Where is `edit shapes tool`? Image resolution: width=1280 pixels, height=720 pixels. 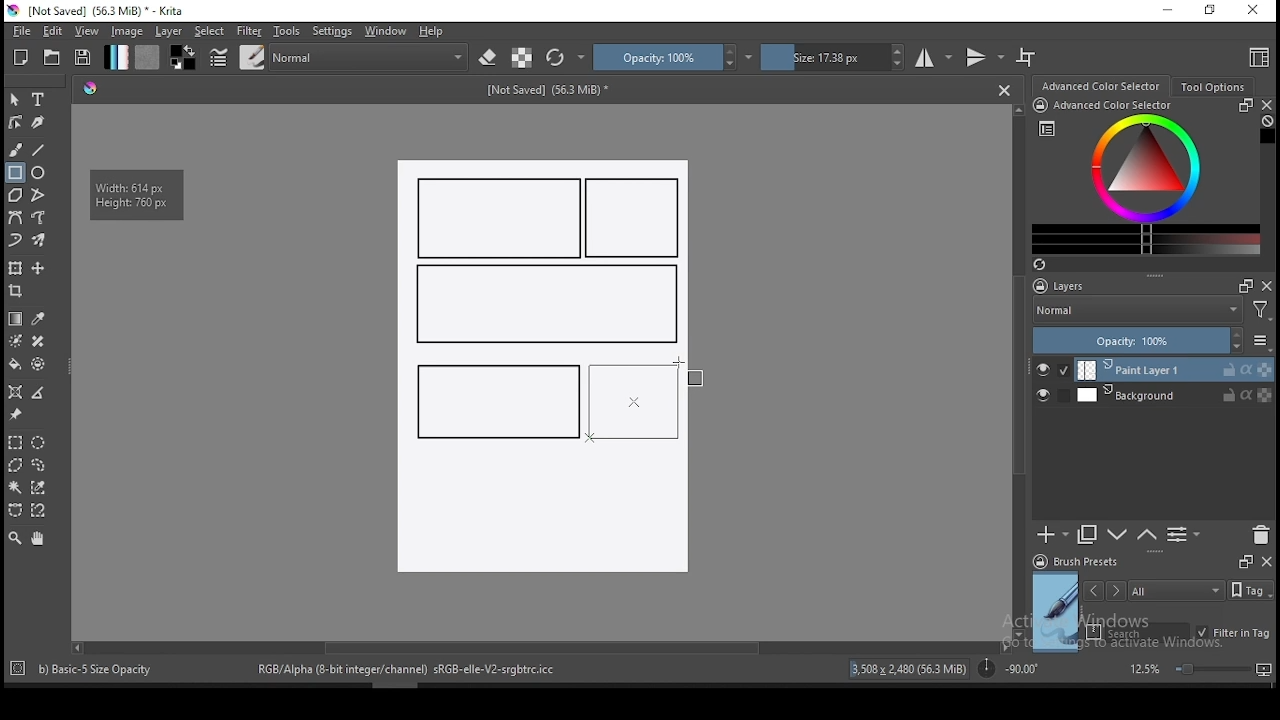 edit shapes tool is located at coordinates (15, 121).